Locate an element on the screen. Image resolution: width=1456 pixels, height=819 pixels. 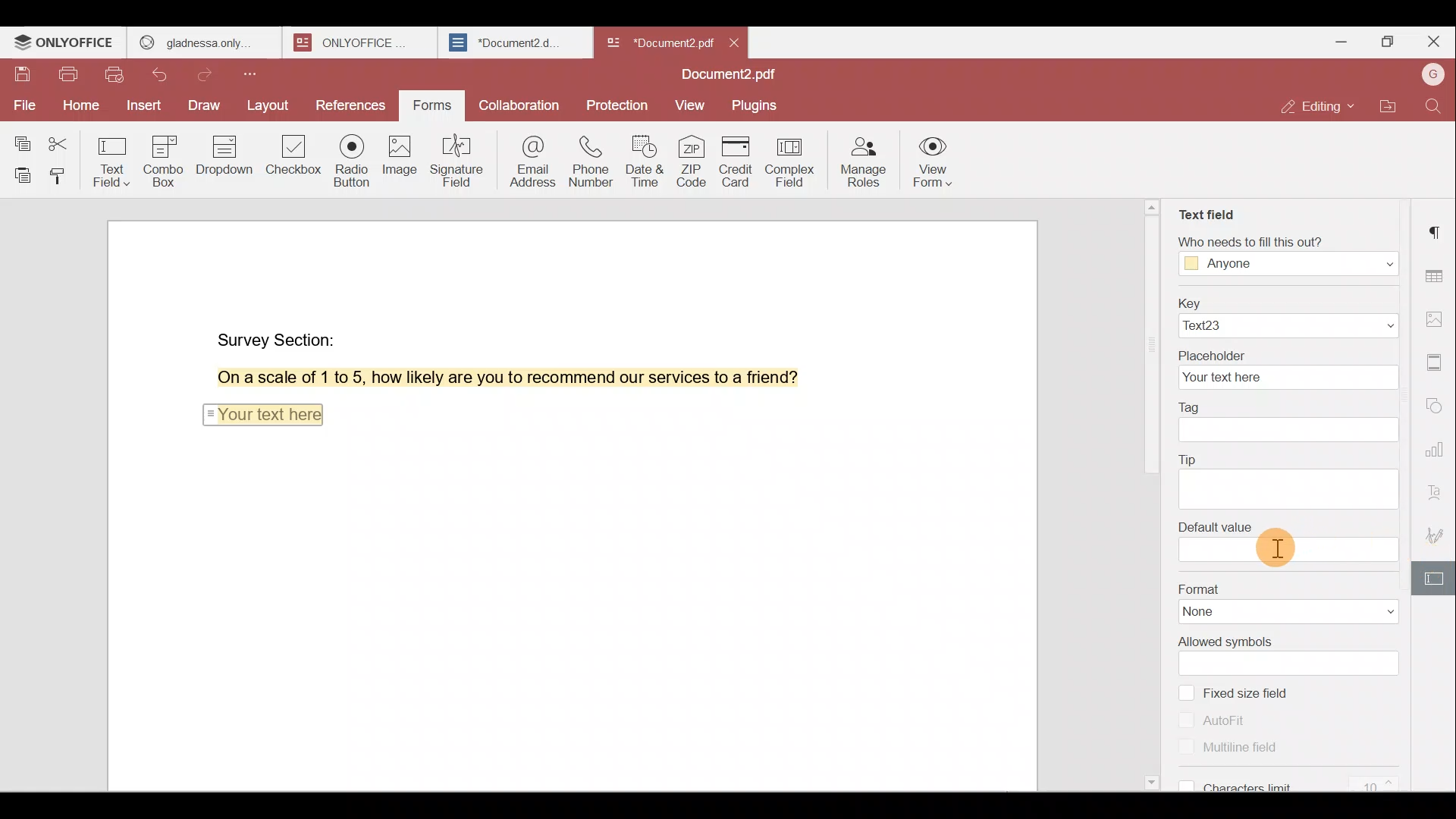
Key is located at coordinates (1286, 315).